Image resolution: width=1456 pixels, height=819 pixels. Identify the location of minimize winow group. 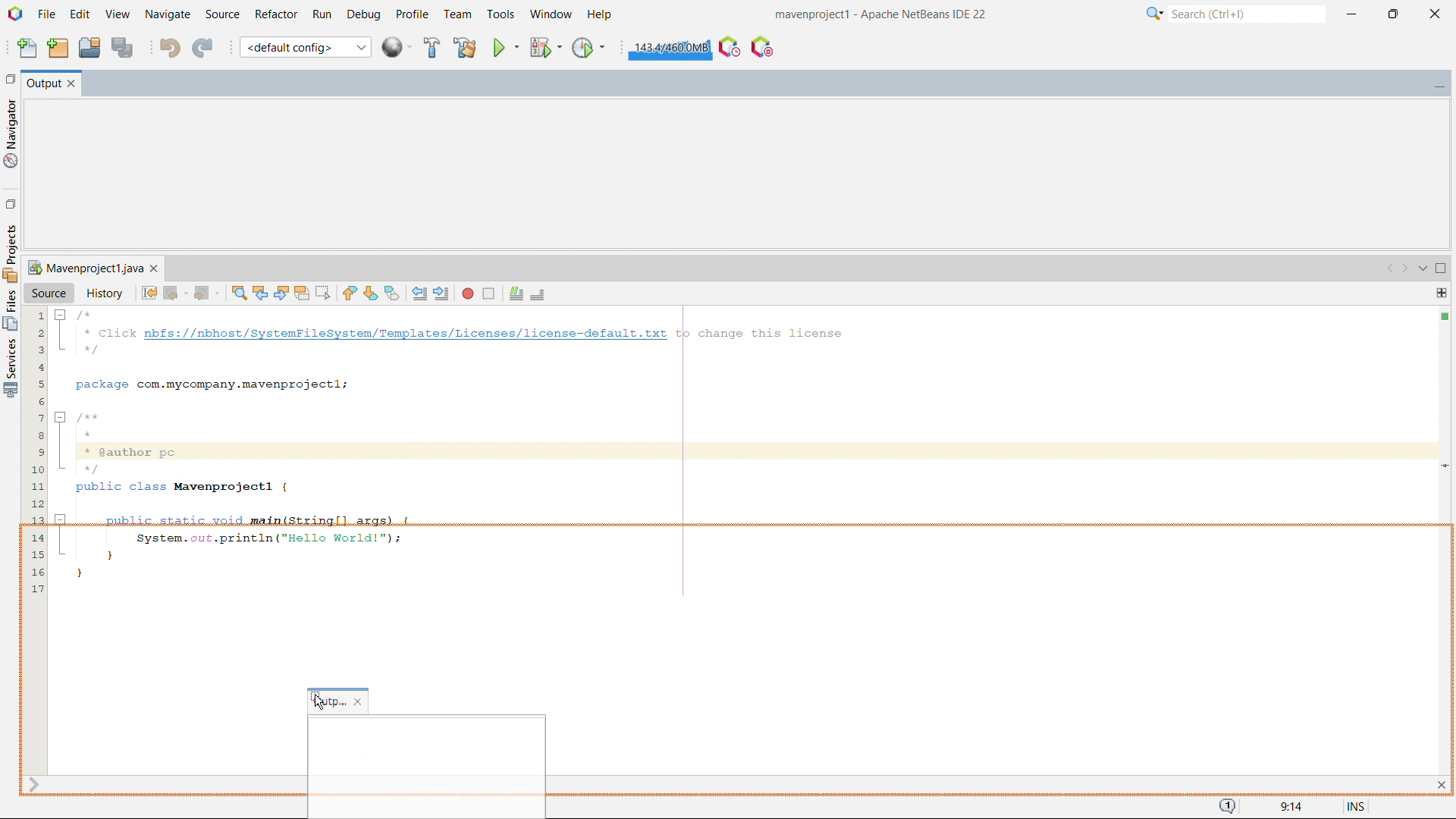
(1439, 84).